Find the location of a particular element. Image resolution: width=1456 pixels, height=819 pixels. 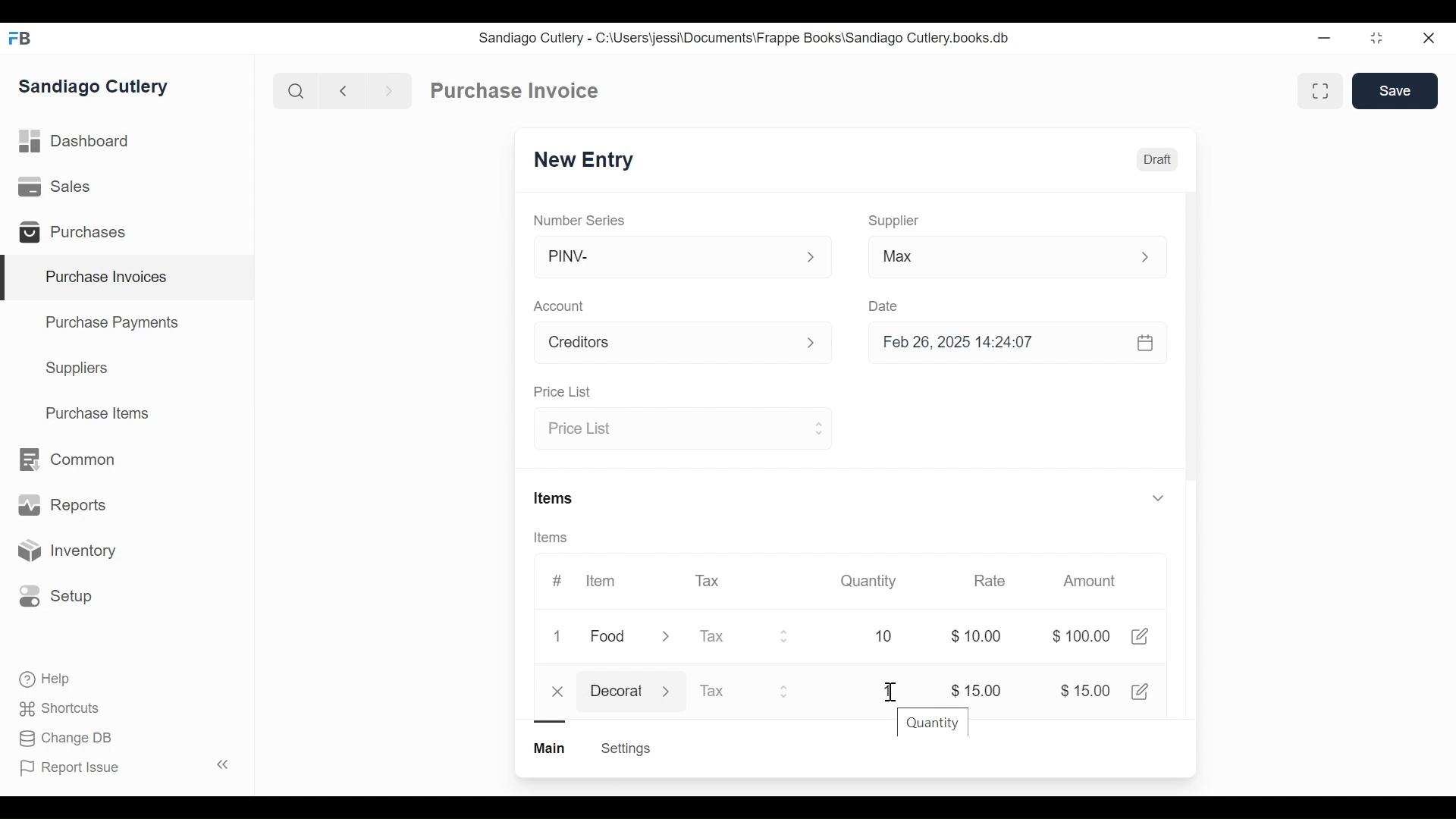

Search is located at coordinates (296, 90).